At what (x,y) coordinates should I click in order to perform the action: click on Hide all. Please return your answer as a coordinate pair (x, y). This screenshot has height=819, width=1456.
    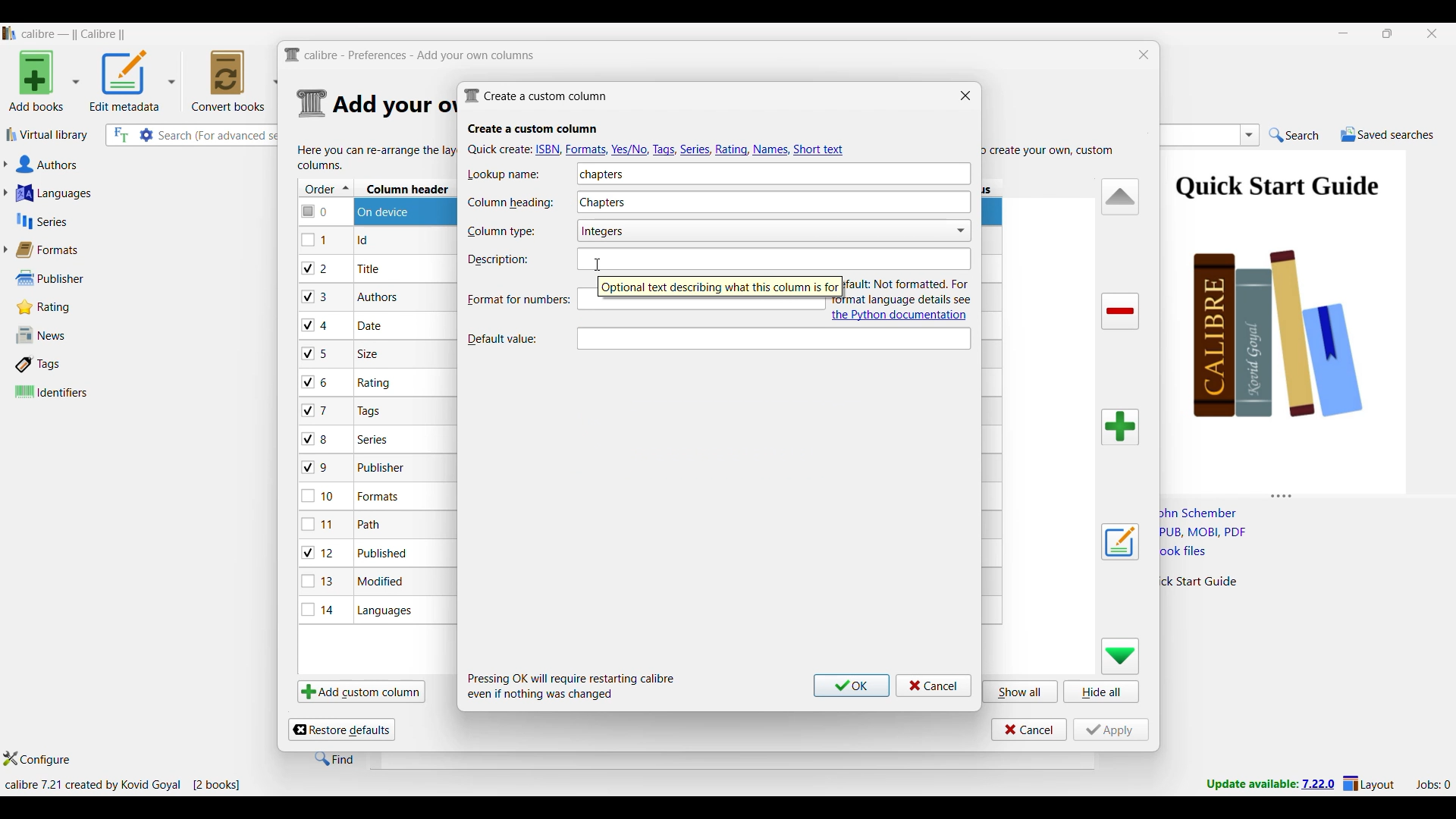
    Looking at the image, I should click on (1101, 692).